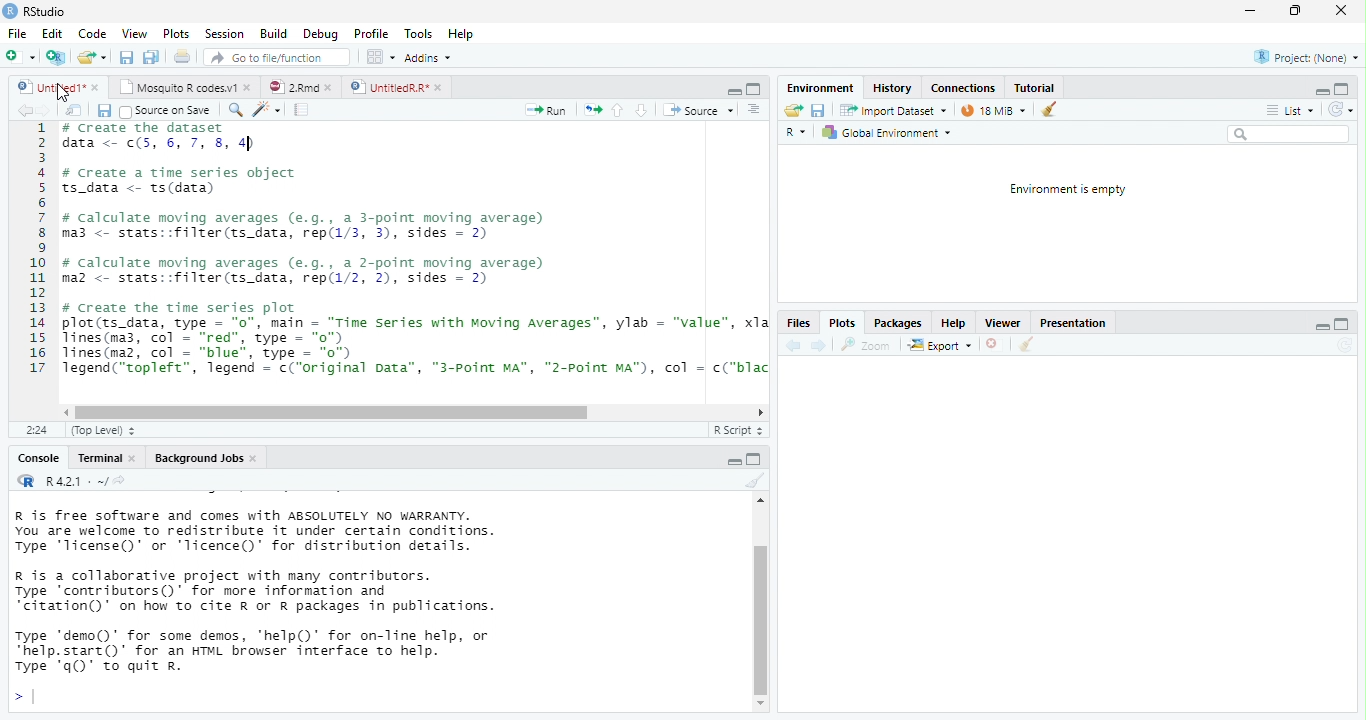 The width and height of the screenshot is (1366, 720). What do you see at coordinates (951, 323) in the screenshot?
I see `Help` at bounding box center [951, 323].